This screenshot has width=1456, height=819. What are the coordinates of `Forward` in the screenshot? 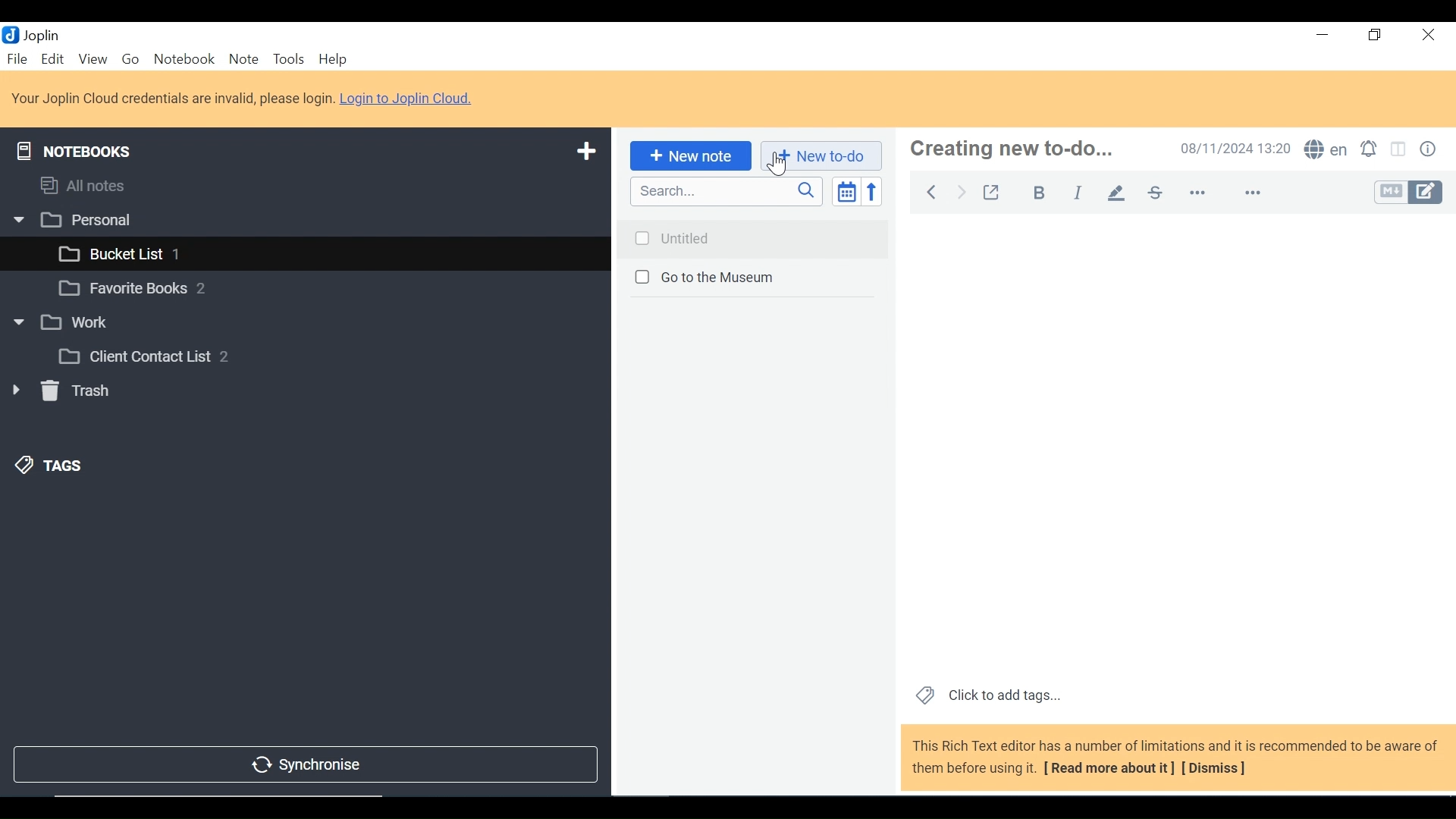 It's located at (962, 190).